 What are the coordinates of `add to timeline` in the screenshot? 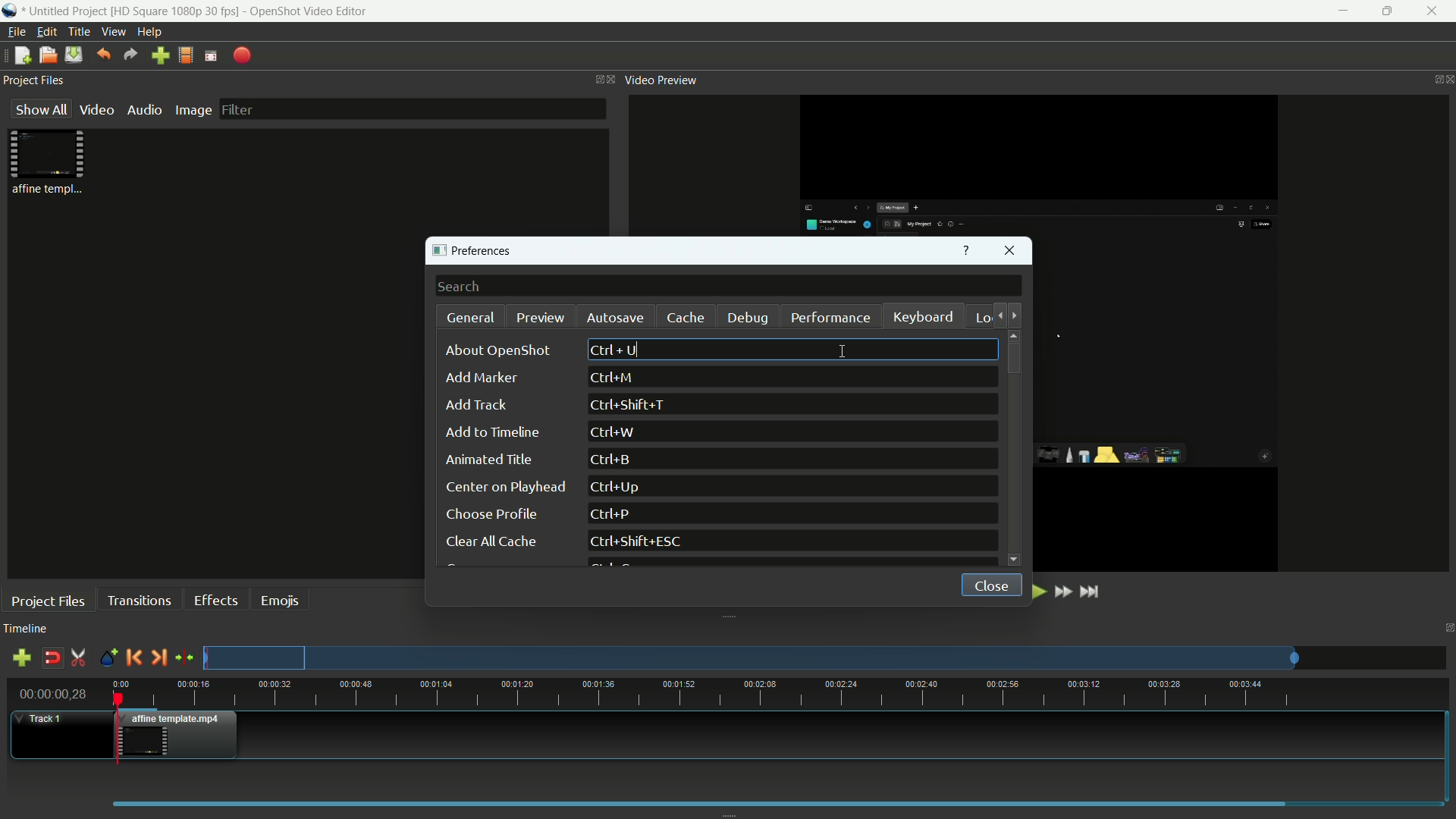 It's located at (492, 432).